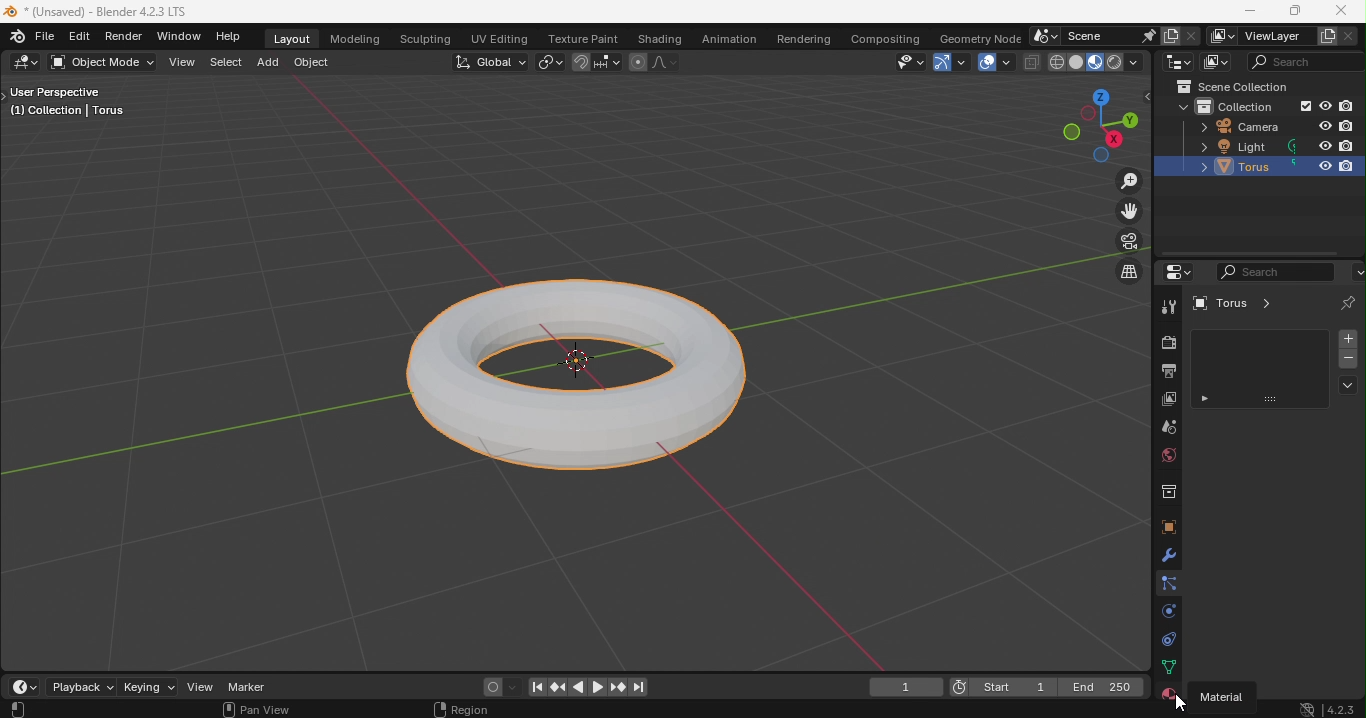 The height and width of the screenshot is (718, 1366). I want to click on Start 1, so click(1016, 687).